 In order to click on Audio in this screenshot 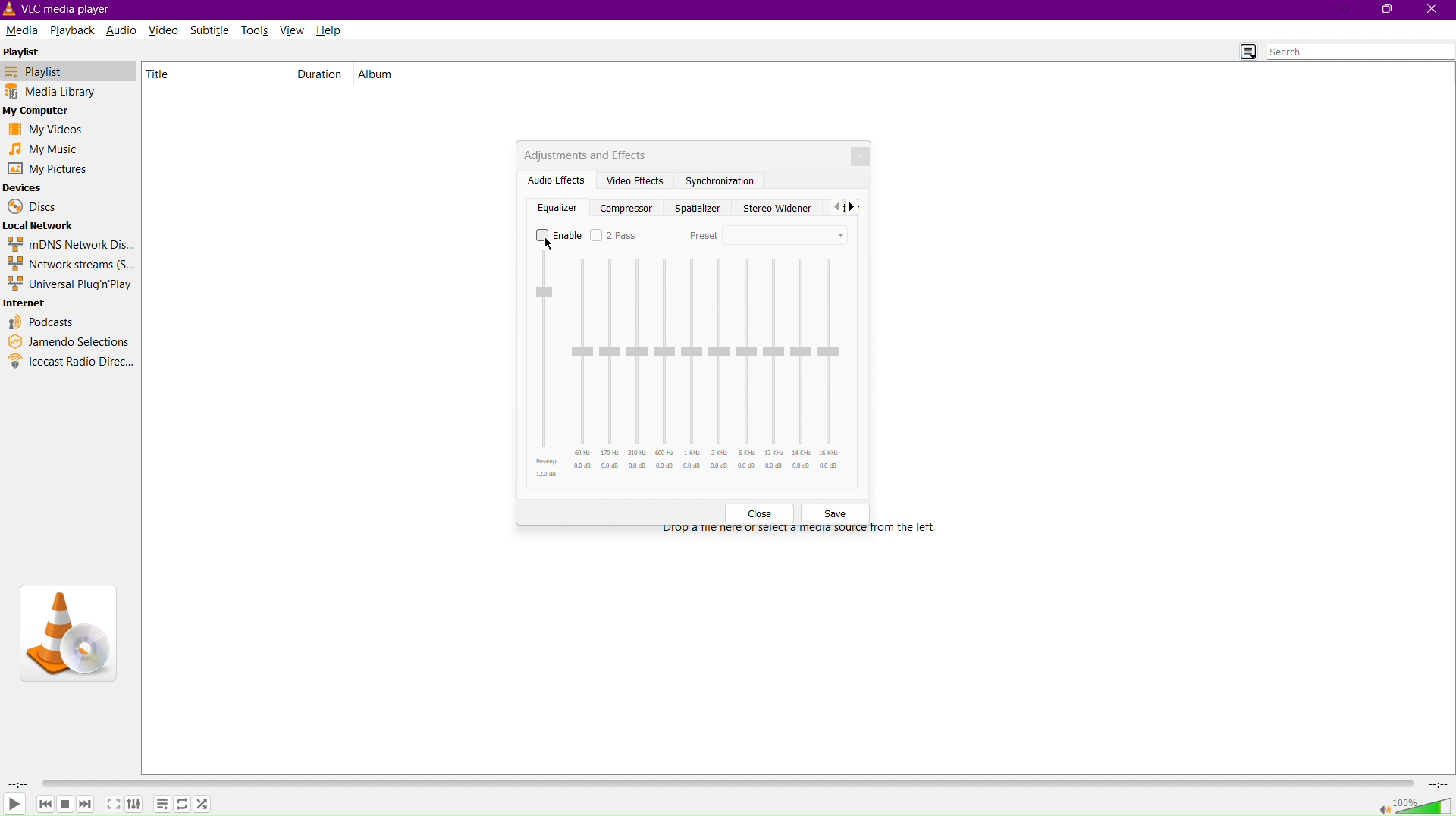, I will do `click(121, 30)`.